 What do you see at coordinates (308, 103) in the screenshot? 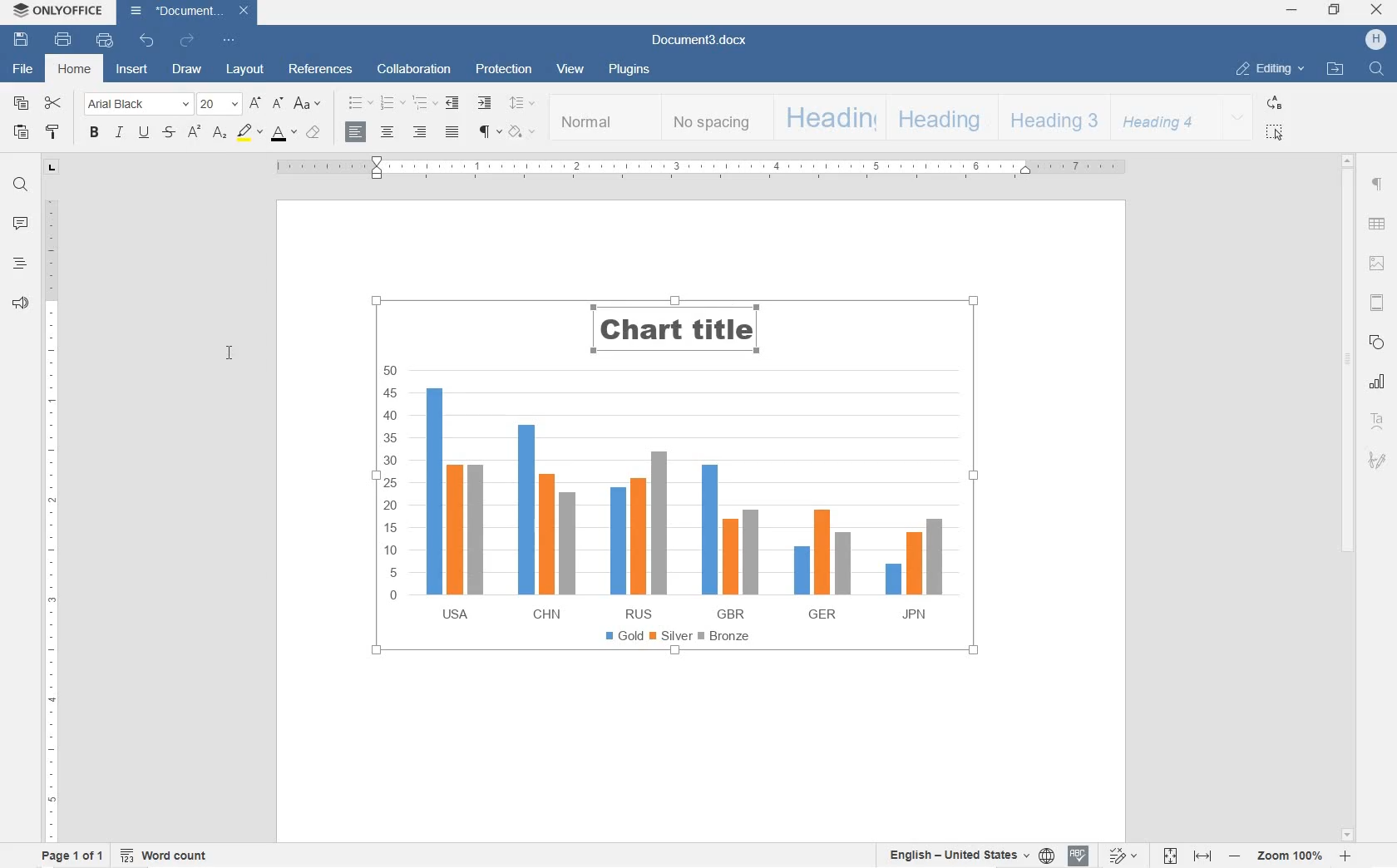
I see `CHANGE CASE` at bounding box center [308, 103].